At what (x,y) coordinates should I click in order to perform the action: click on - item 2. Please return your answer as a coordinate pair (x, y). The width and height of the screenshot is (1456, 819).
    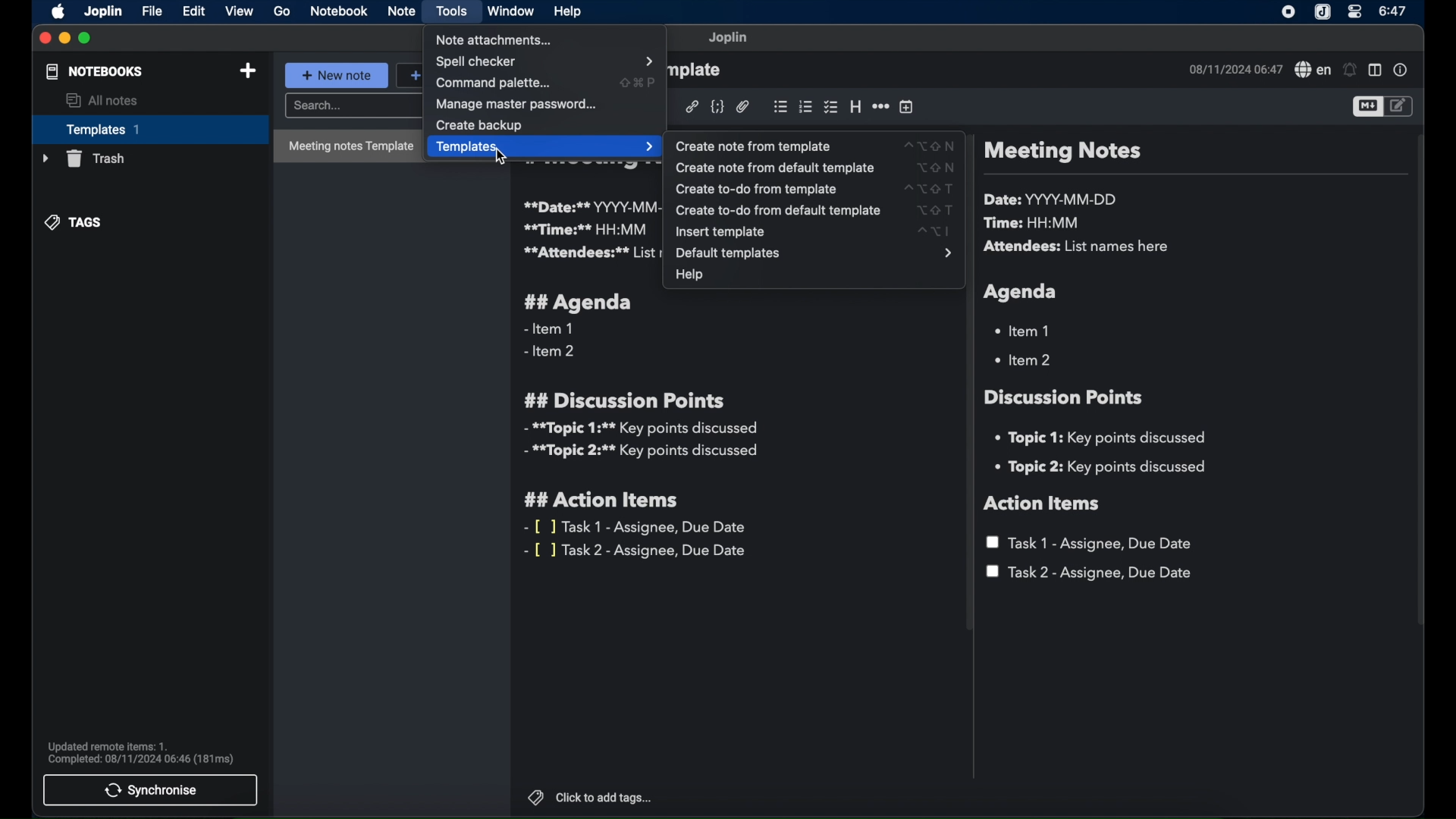
    Looking at the image, I should click on (551, 352).